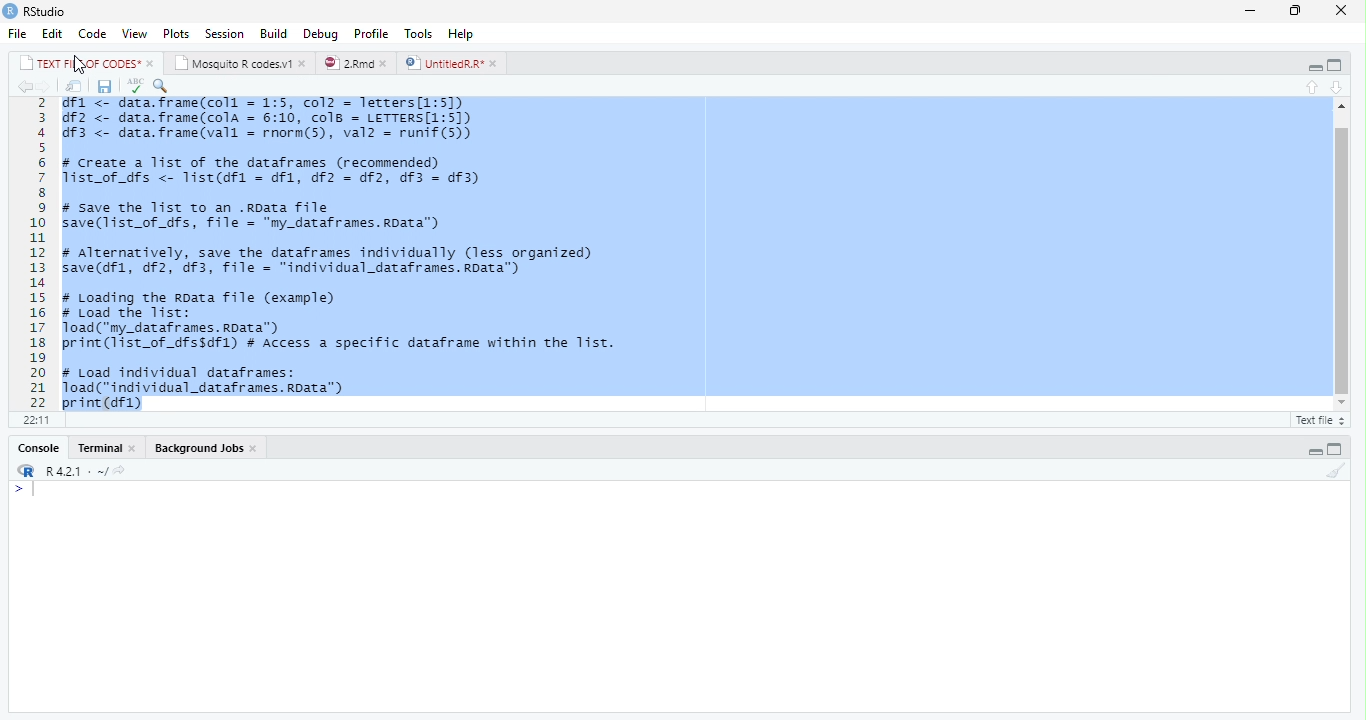 The image size is (1366, 720). Describe the element at coordinates (67, 470) in the screenshot. I see `R 4.2.1 - ~/` at that location.